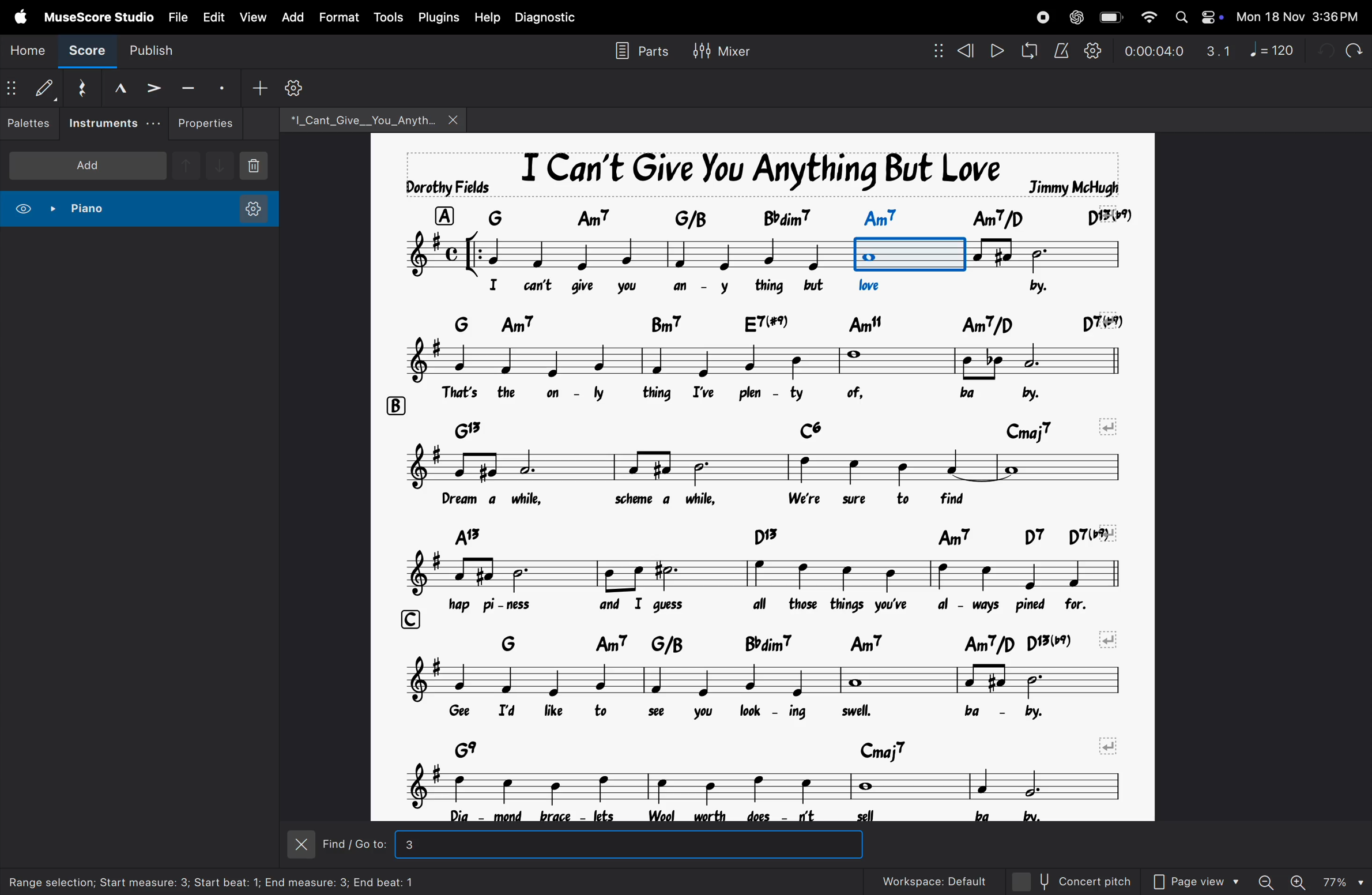  What do you see at coordinates (154, 89) in the screenshot?
I see `accent` at bounding box center [154, 89].